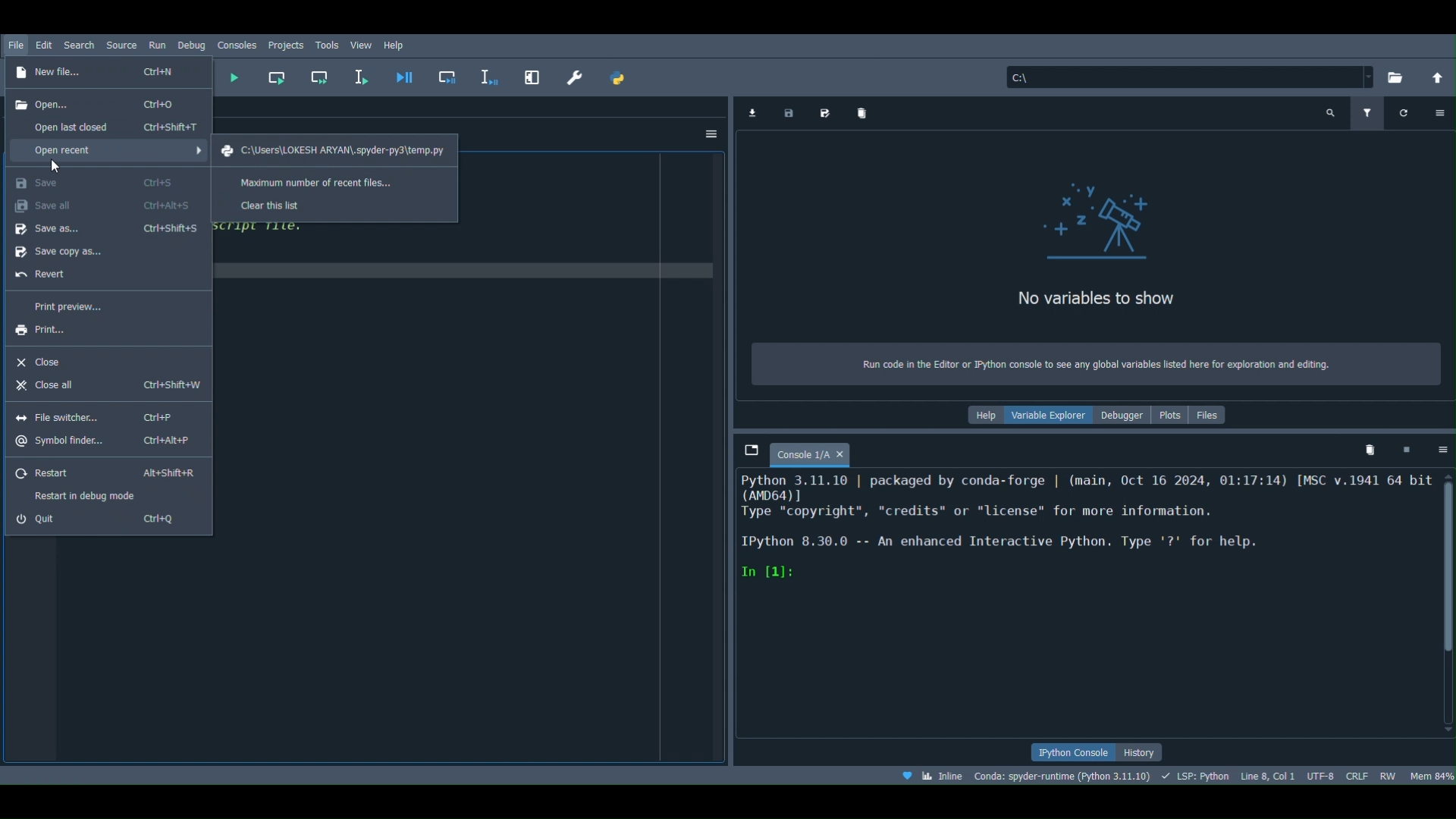  I want to click on Options, so click(706, 132).